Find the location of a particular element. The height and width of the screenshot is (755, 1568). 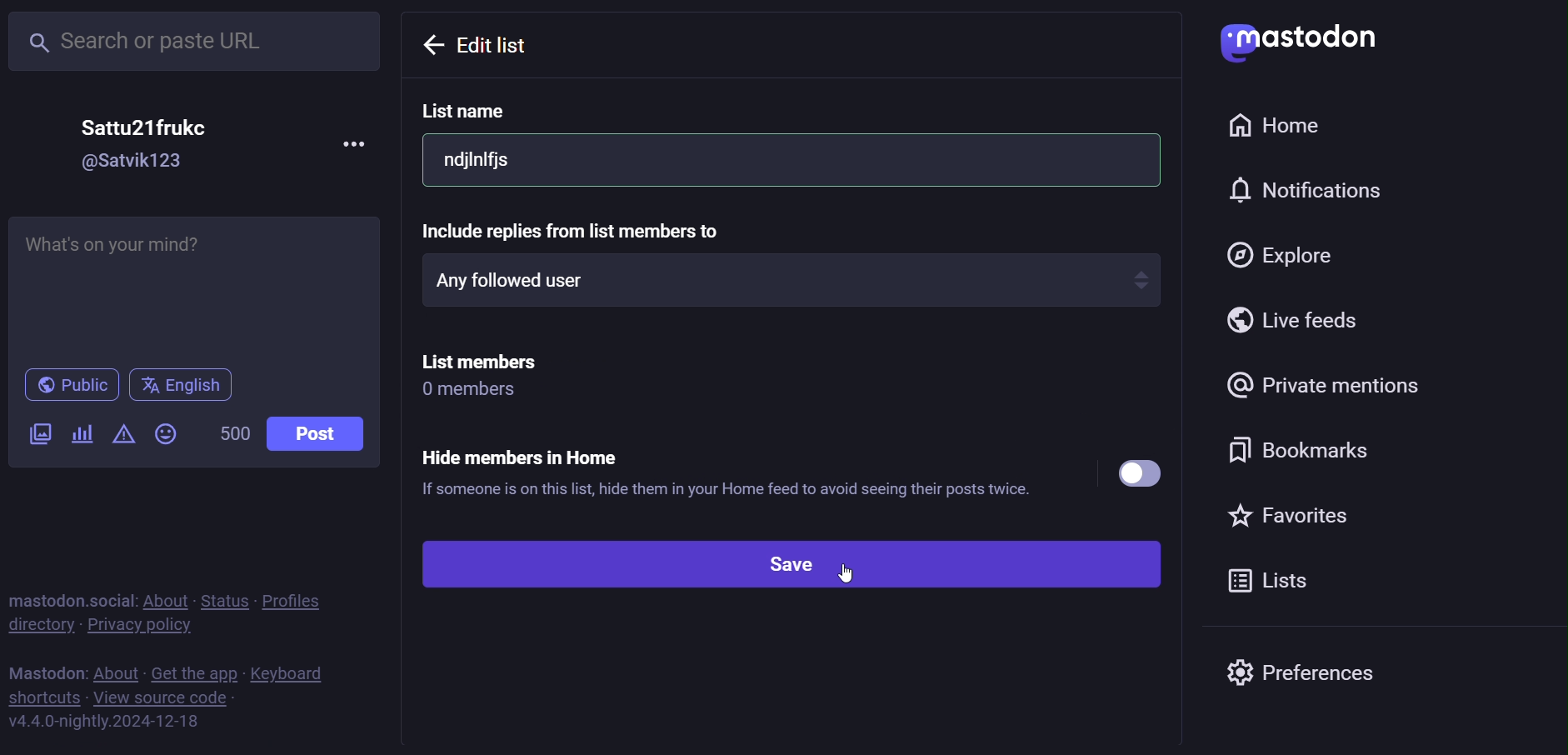

@Satvik123 is located at coordinates (149, 162).